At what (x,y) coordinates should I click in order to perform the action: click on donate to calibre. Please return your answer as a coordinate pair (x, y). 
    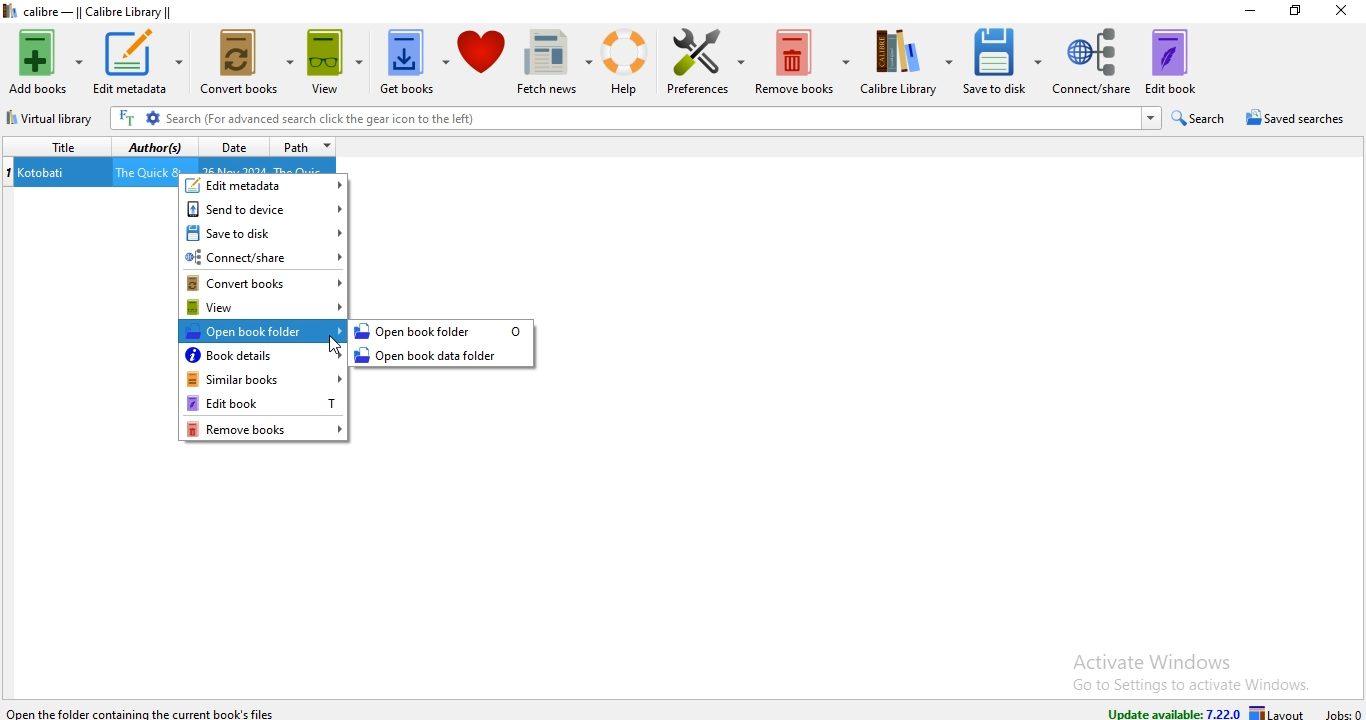
    Looking at the image, I should click on (481, 61).